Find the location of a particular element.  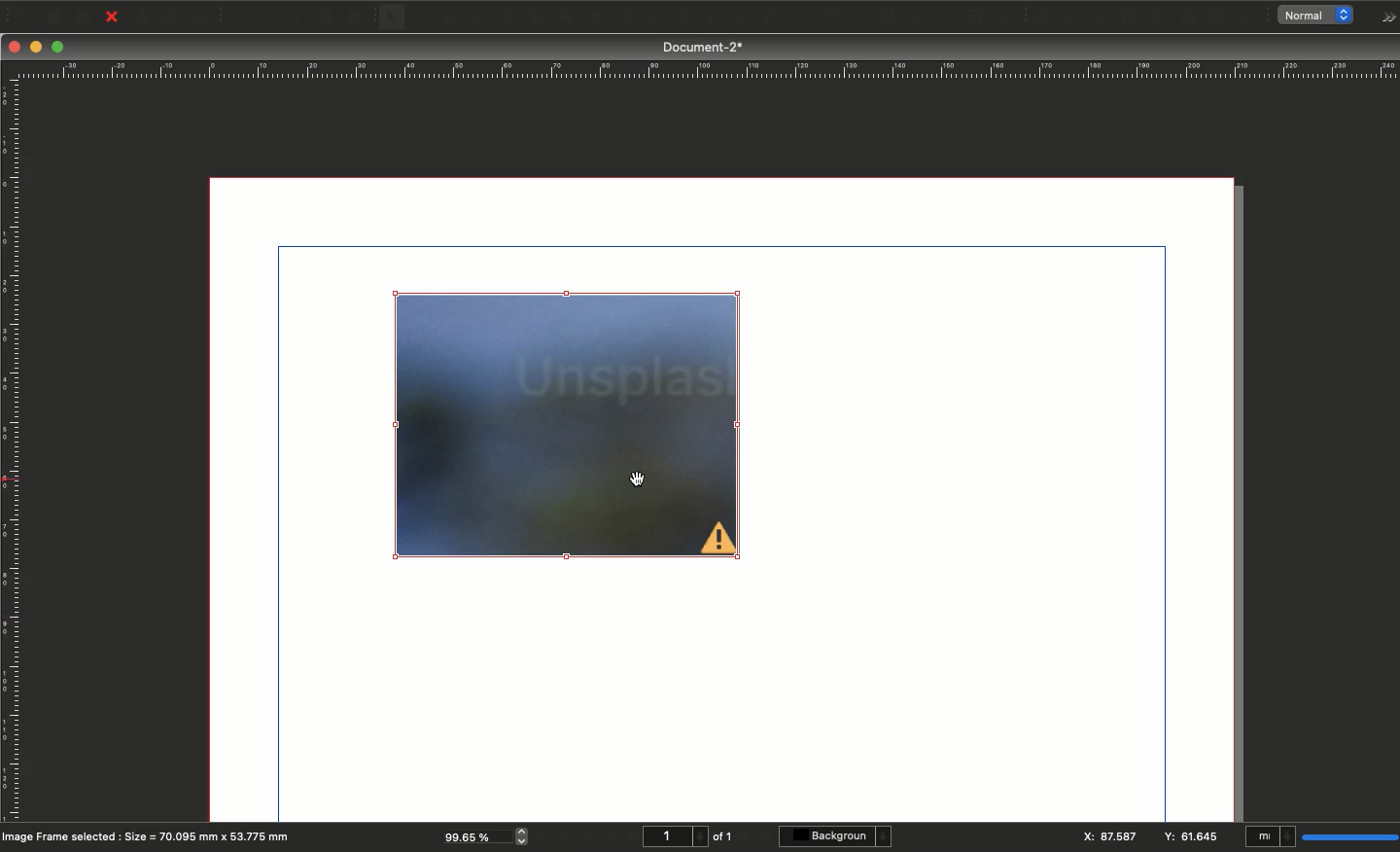

Edit contents of frame is located at coordinates (810, 18).